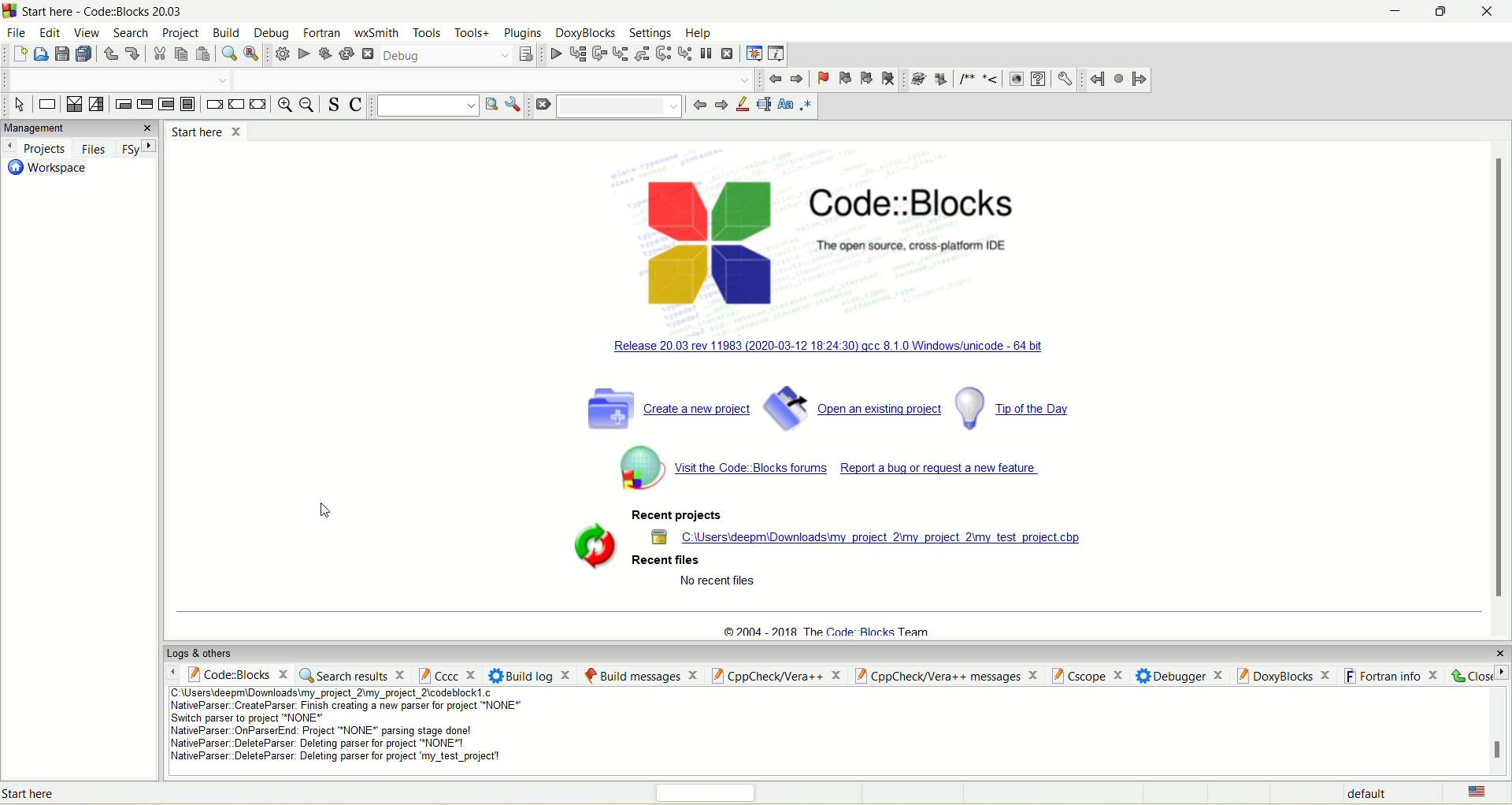 The image size is (1512, 805). What do you see at coordinates (1473, 793) in the screenshot?
I see `language` at bounding box center [1473, 793].